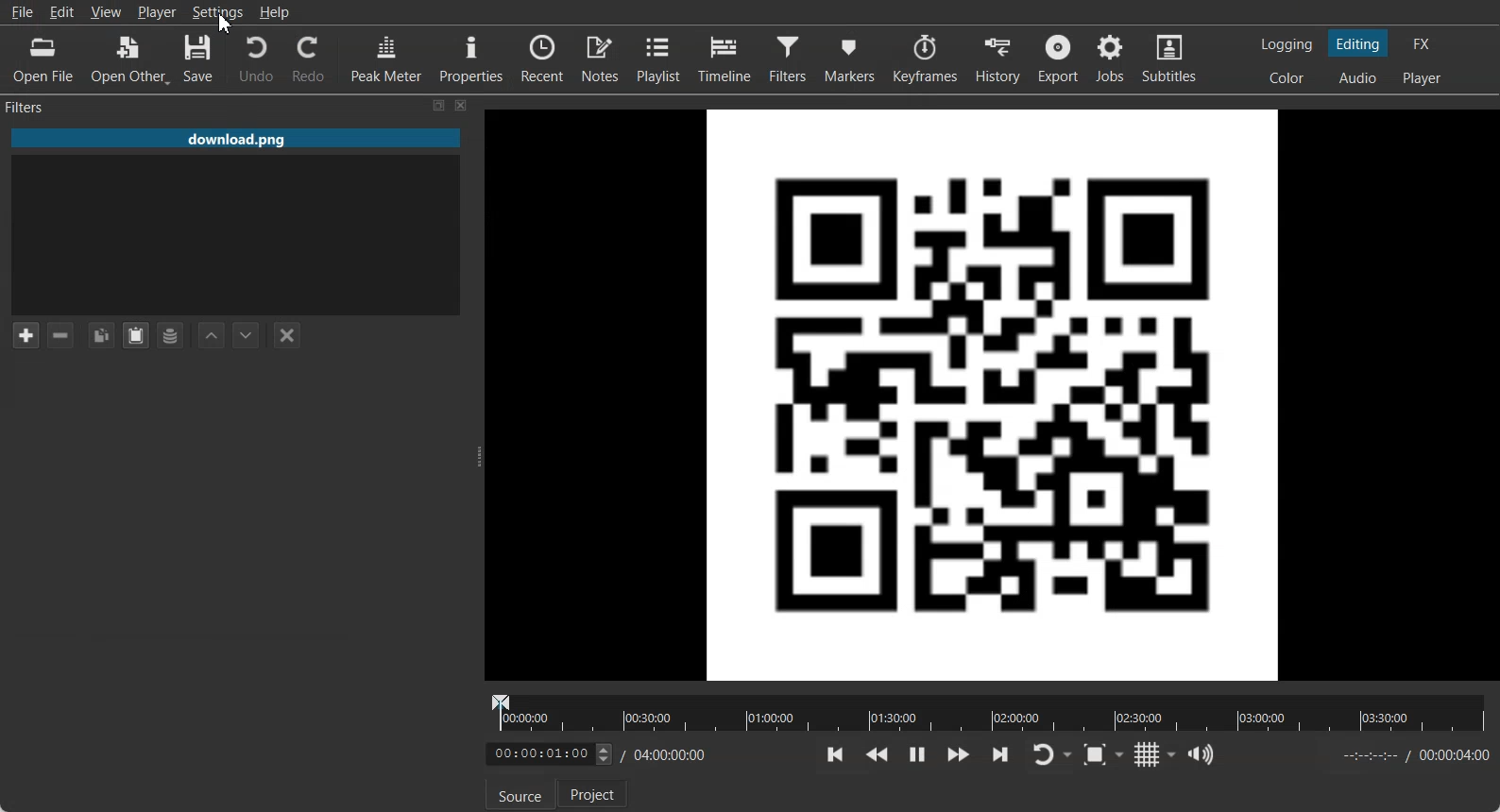 The width and height of the screenshot is (1500, 812). I want to click on Redo, so click(307, 58).